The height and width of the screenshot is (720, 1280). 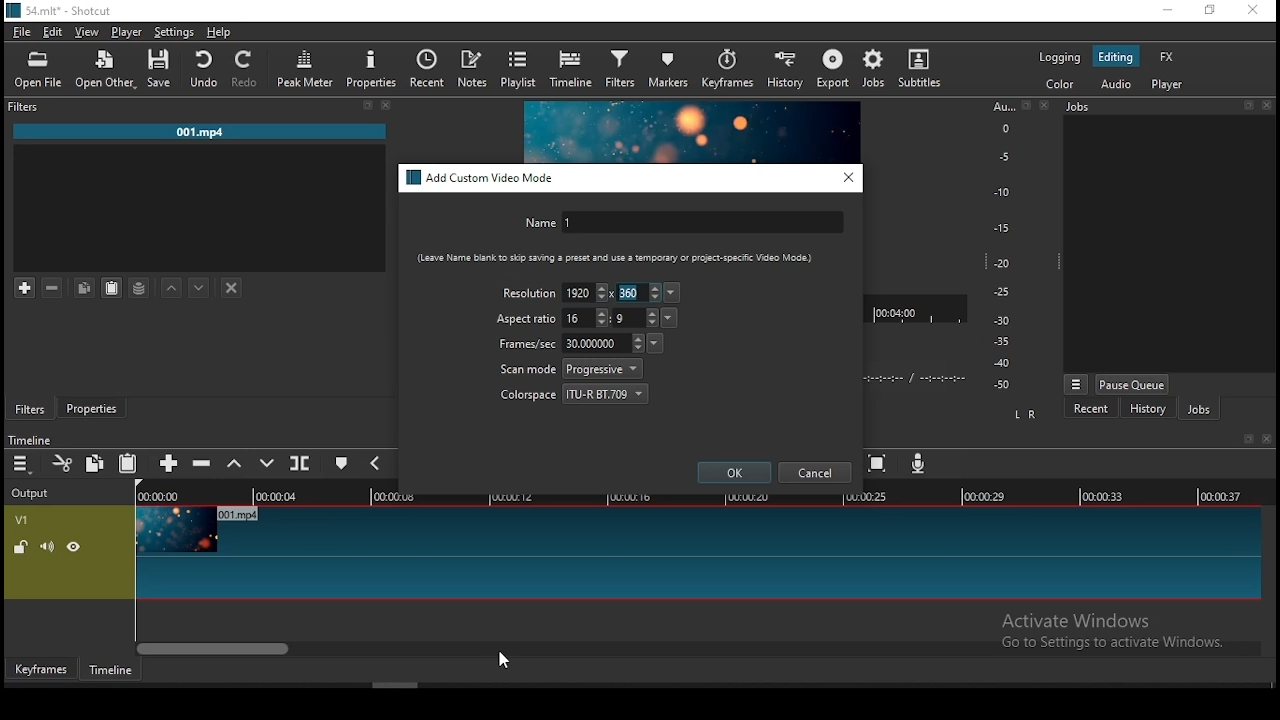 I want to click on add filter, so click(x=25, y=289).